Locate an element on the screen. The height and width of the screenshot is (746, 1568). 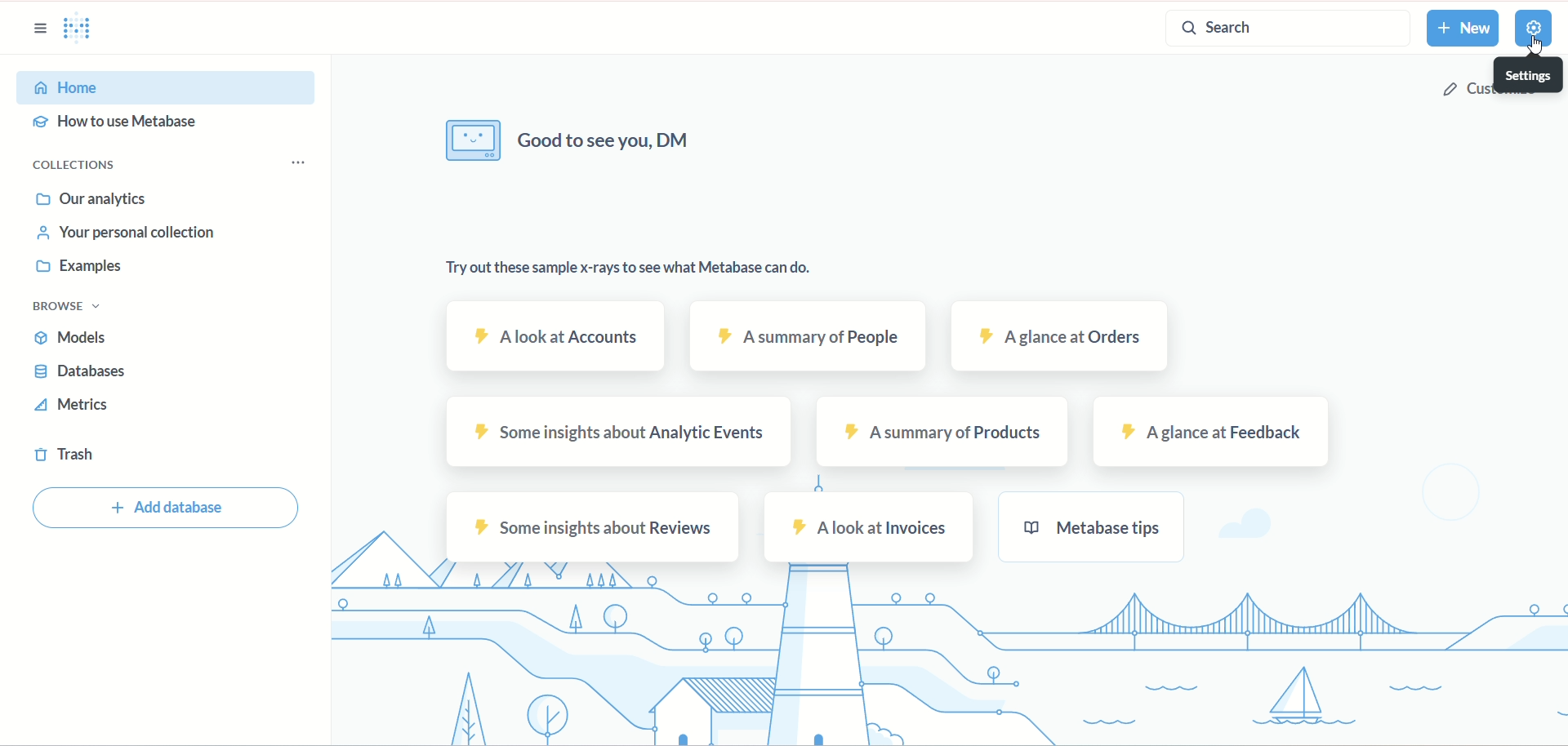
our analytics is located at coordinates (96, 200).